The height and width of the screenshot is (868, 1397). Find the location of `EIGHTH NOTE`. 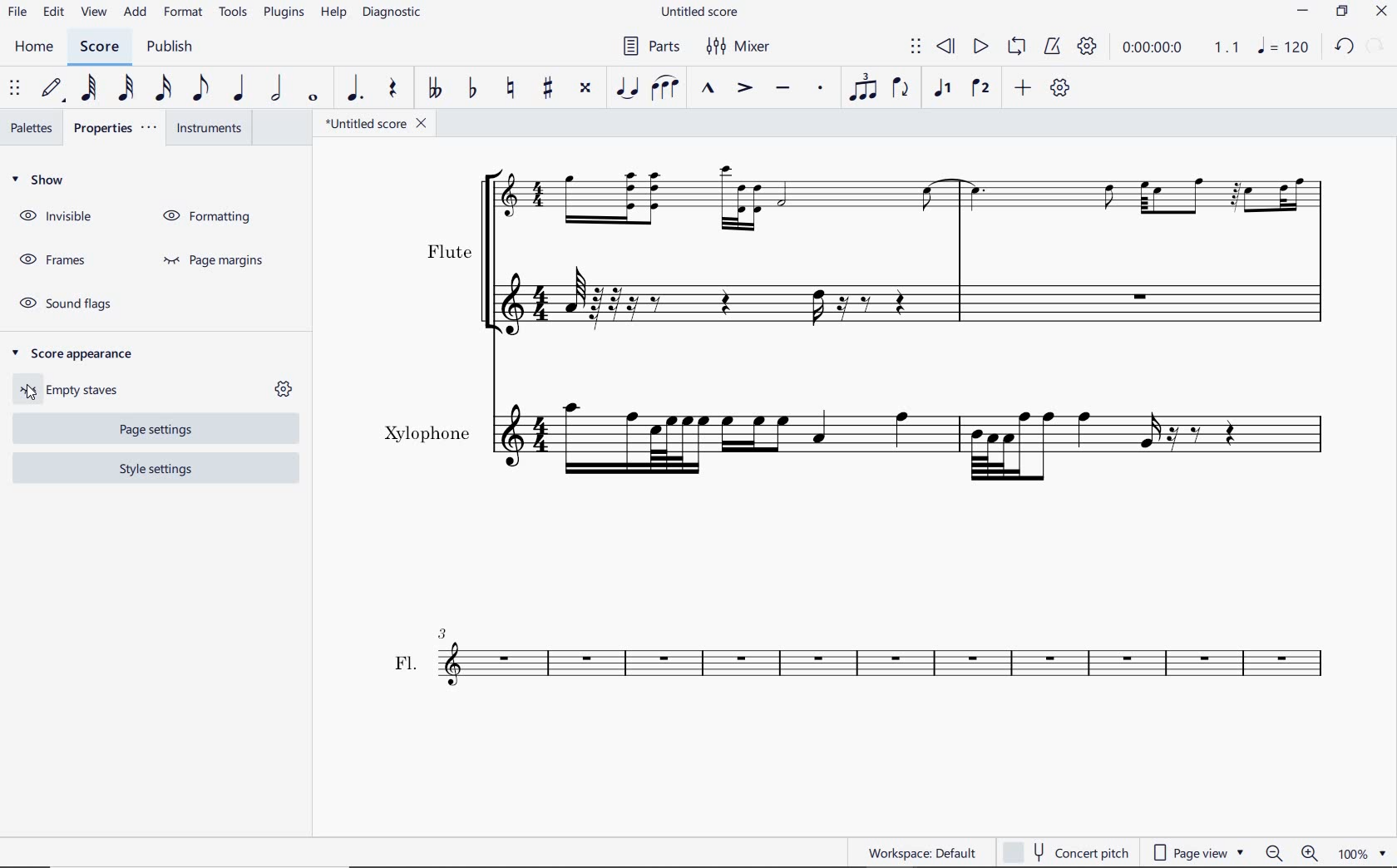

EIGHTH NOTE is located at coordinates (200, 89).